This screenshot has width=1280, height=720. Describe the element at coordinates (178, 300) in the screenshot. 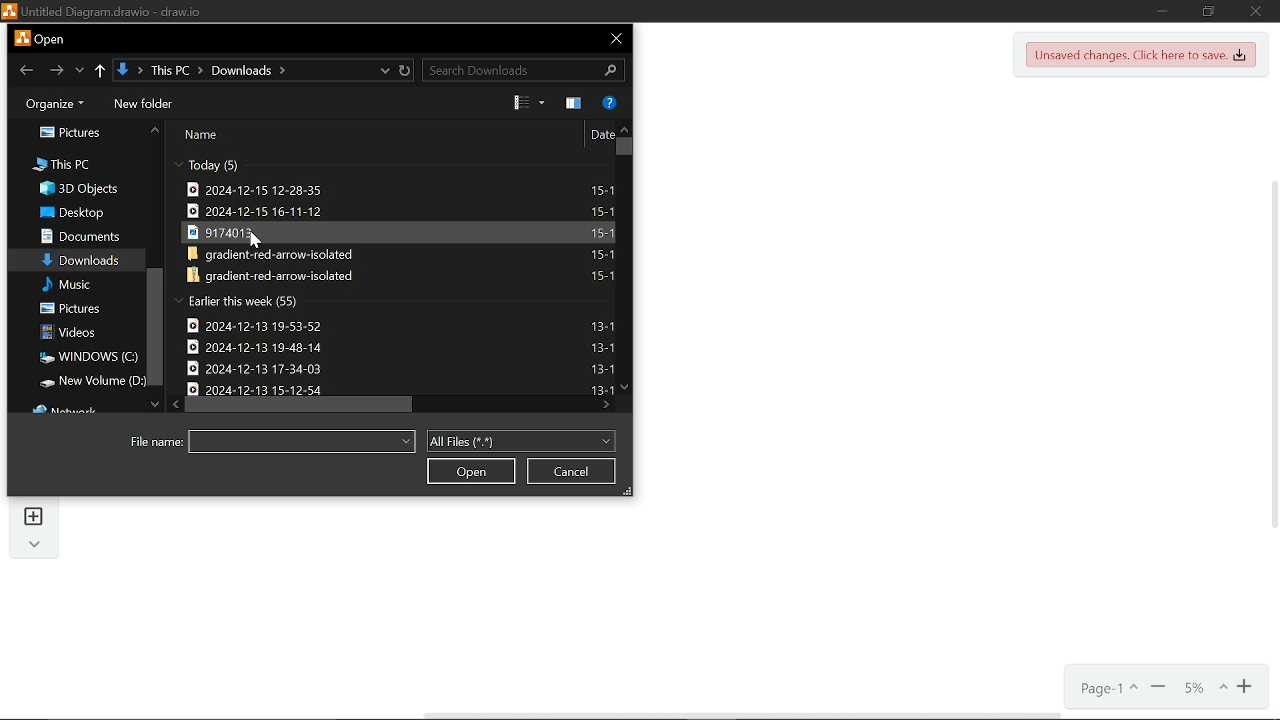

I see `collapse files modified earlier this week` at that location.